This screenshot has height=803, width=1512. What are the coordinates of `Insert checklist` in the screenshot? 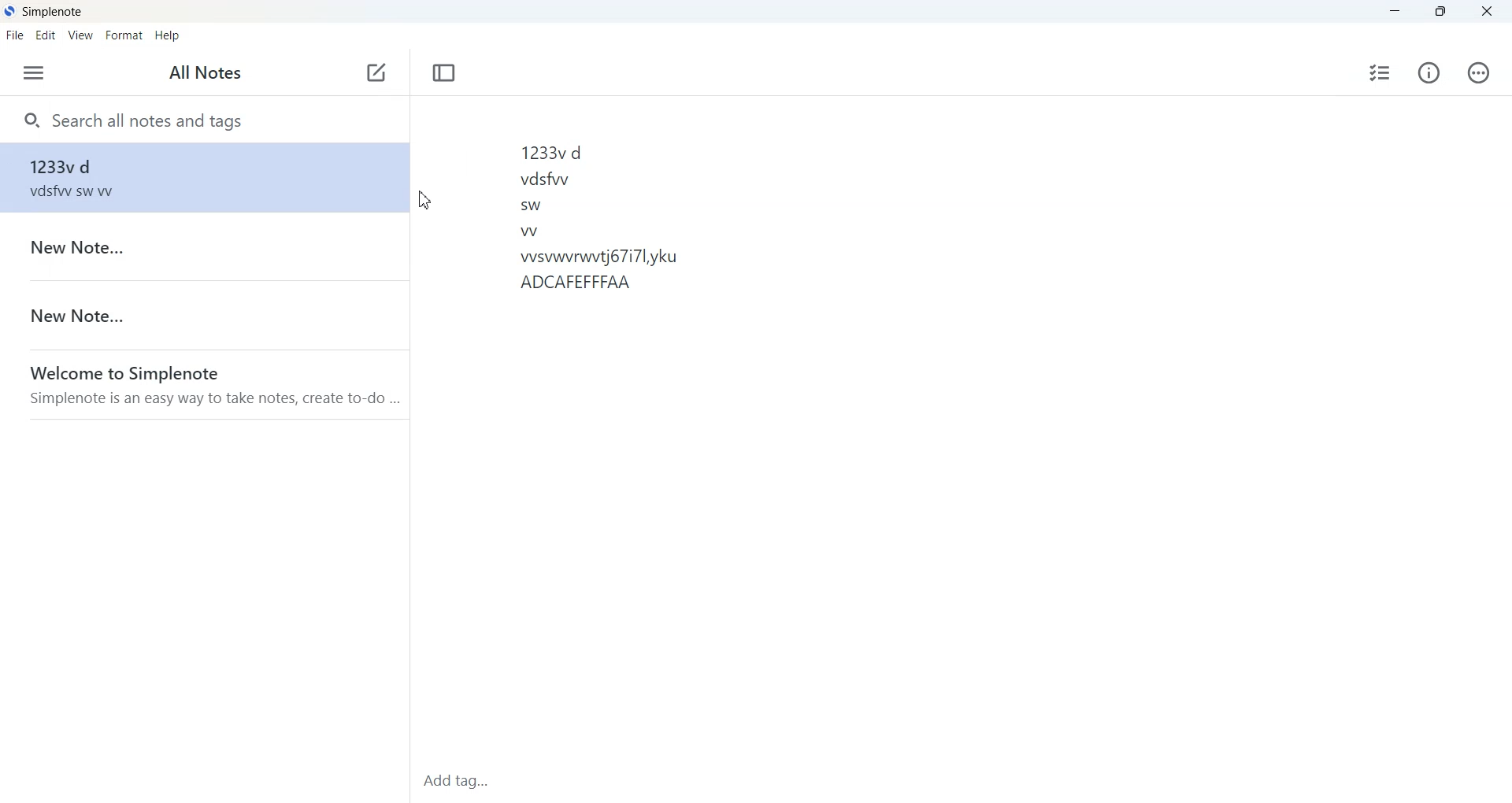 It's located at (1380, 72).